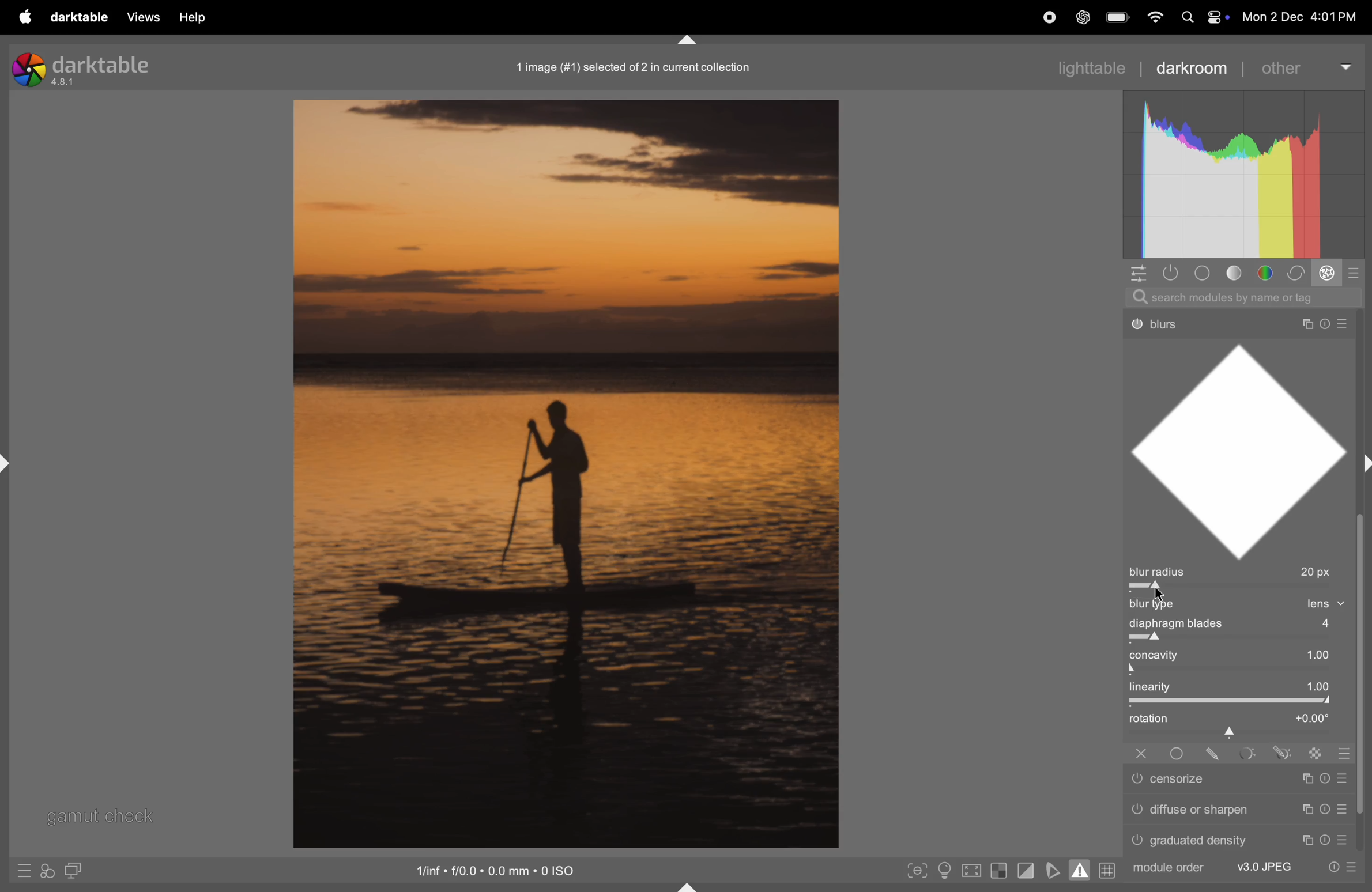  Describe the element at coordinates (1357, 272) in the screenshot. I see `modes` at that location.